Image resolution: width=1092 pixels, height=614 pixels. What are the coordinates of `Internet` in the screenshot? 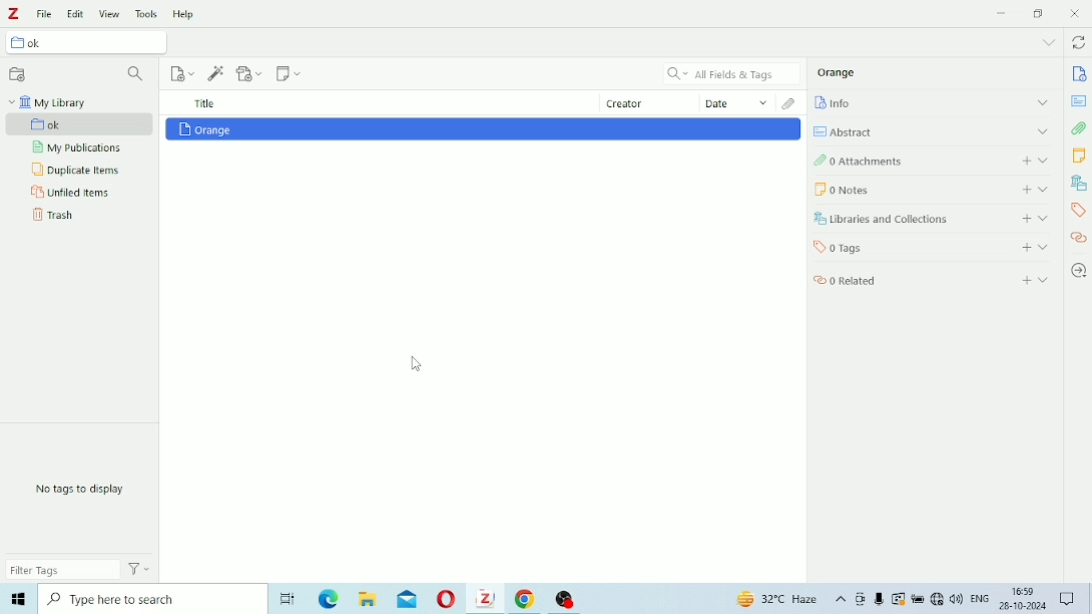 It's located at (937, 600).